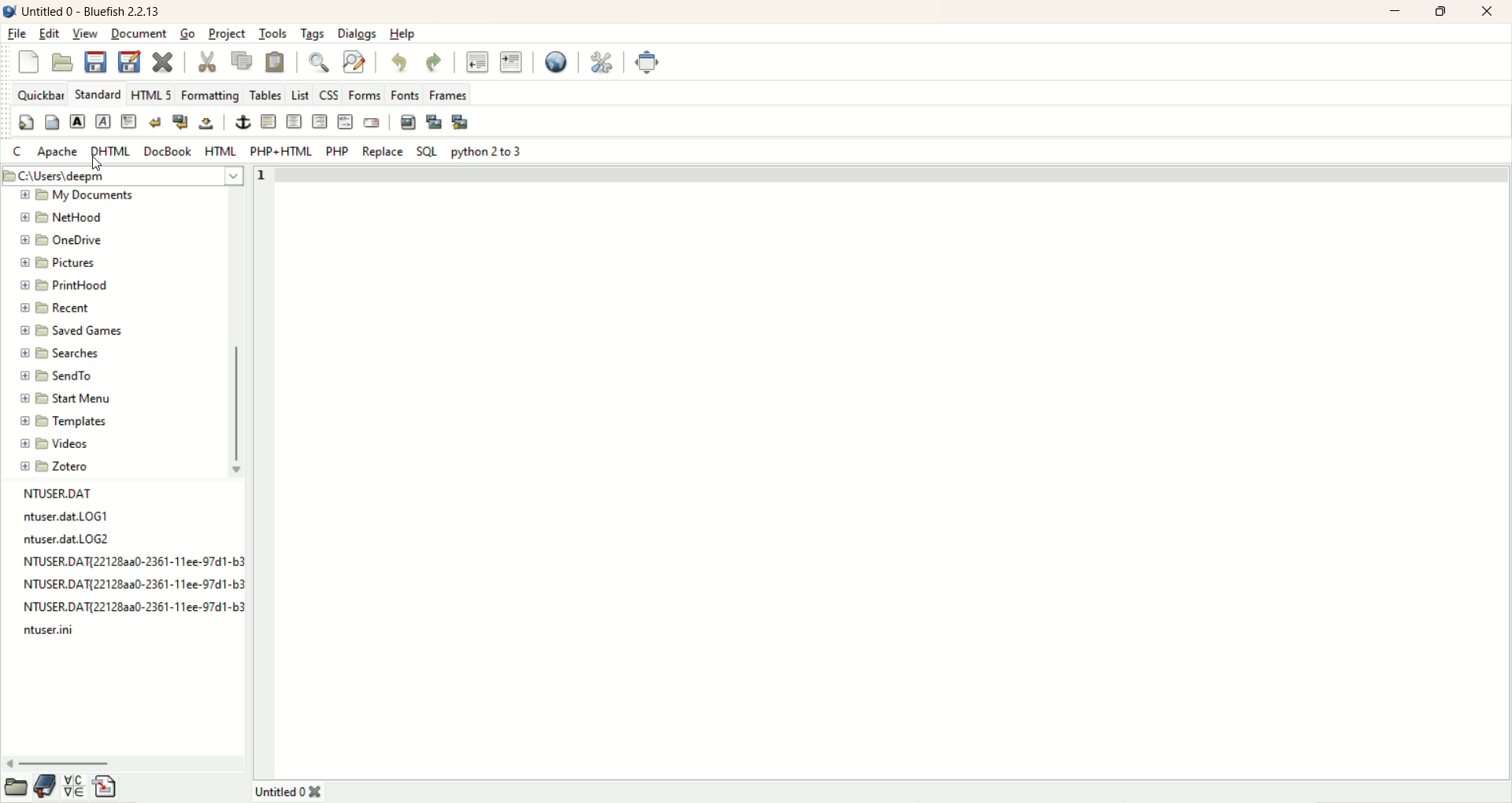  What do you see at coordinates (63, 61) in the screenshot?
I see `open file` at bounding box center [63, 61].